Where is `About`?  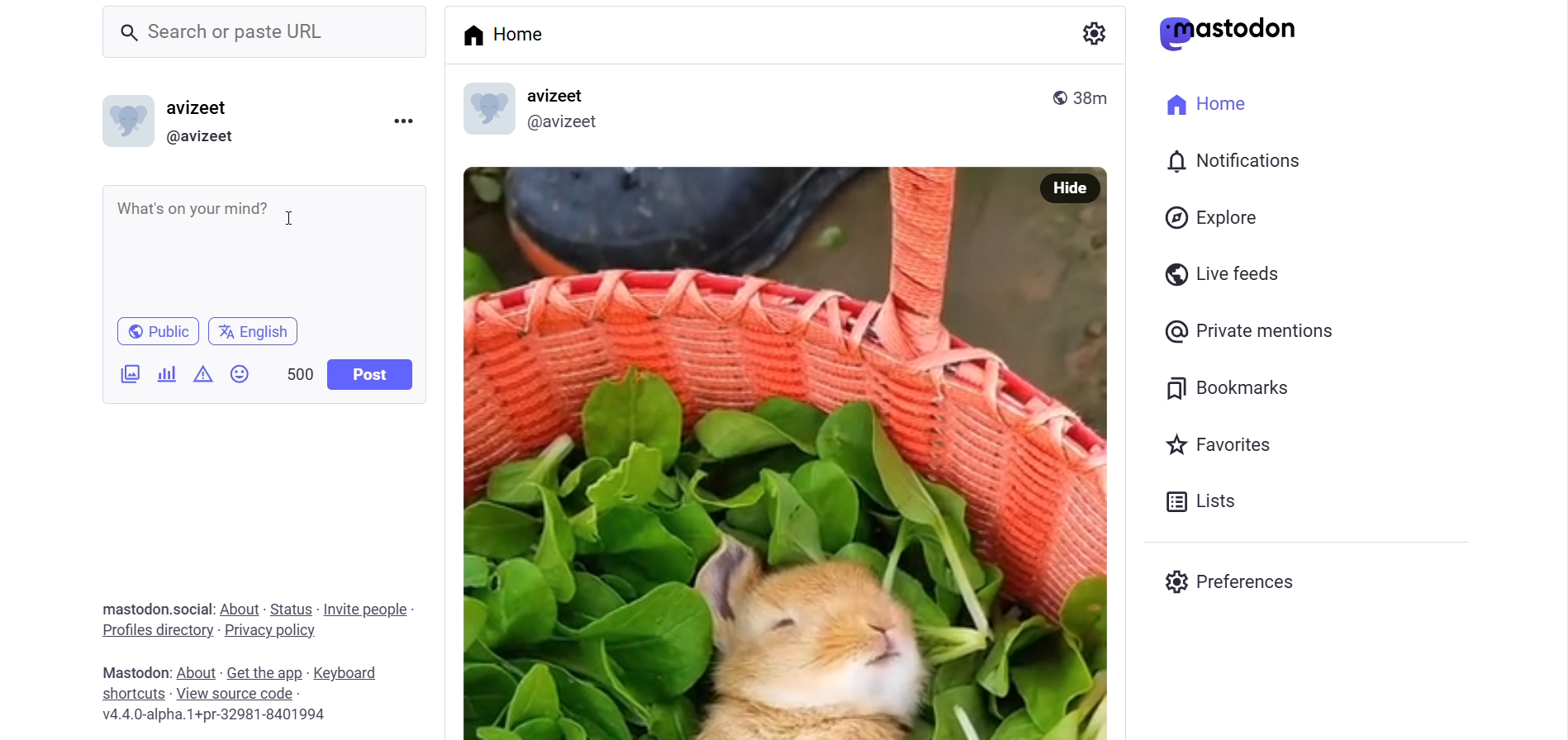
About is located at coordinates (198, 670).